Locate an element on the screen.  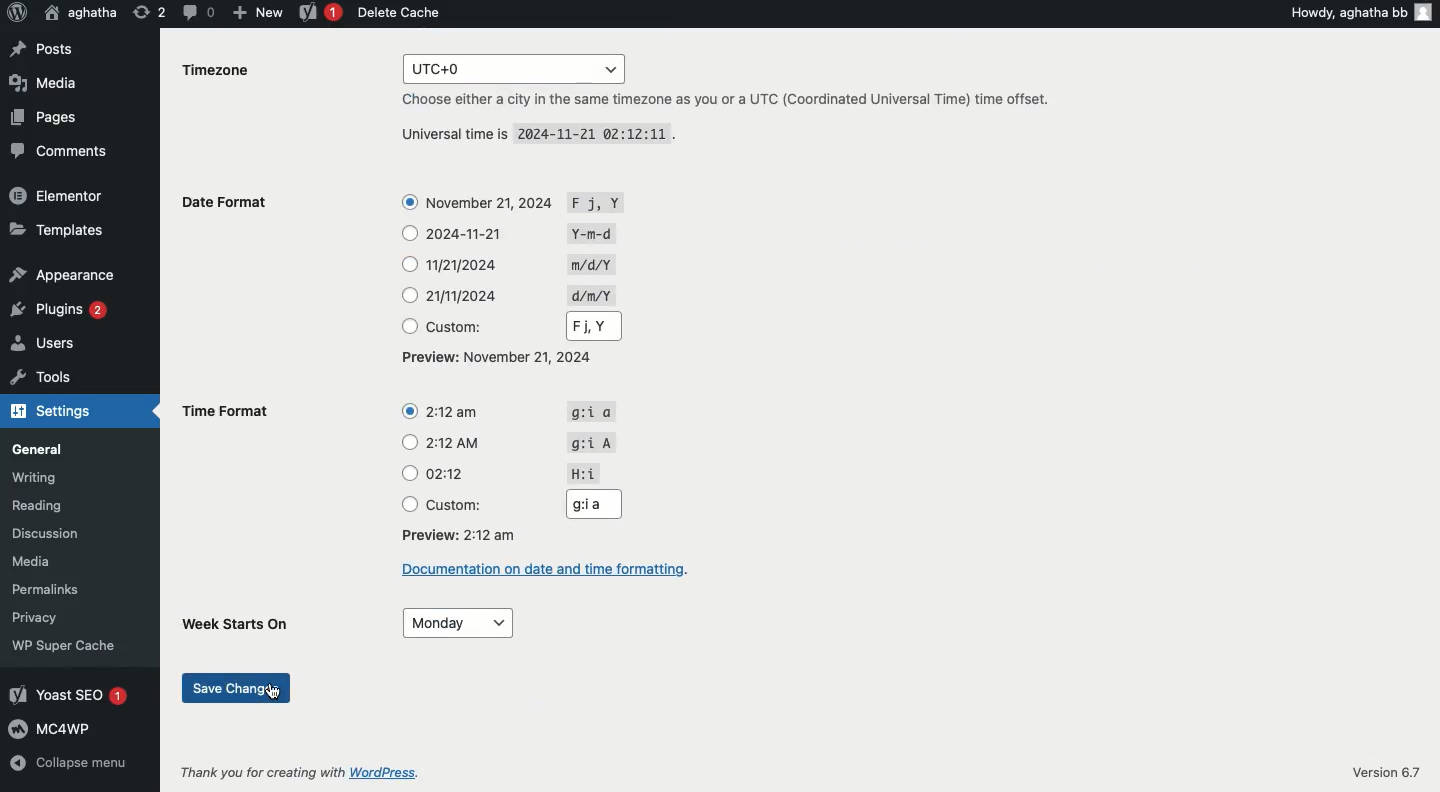
Symbols is located at coordinates (598, 265).